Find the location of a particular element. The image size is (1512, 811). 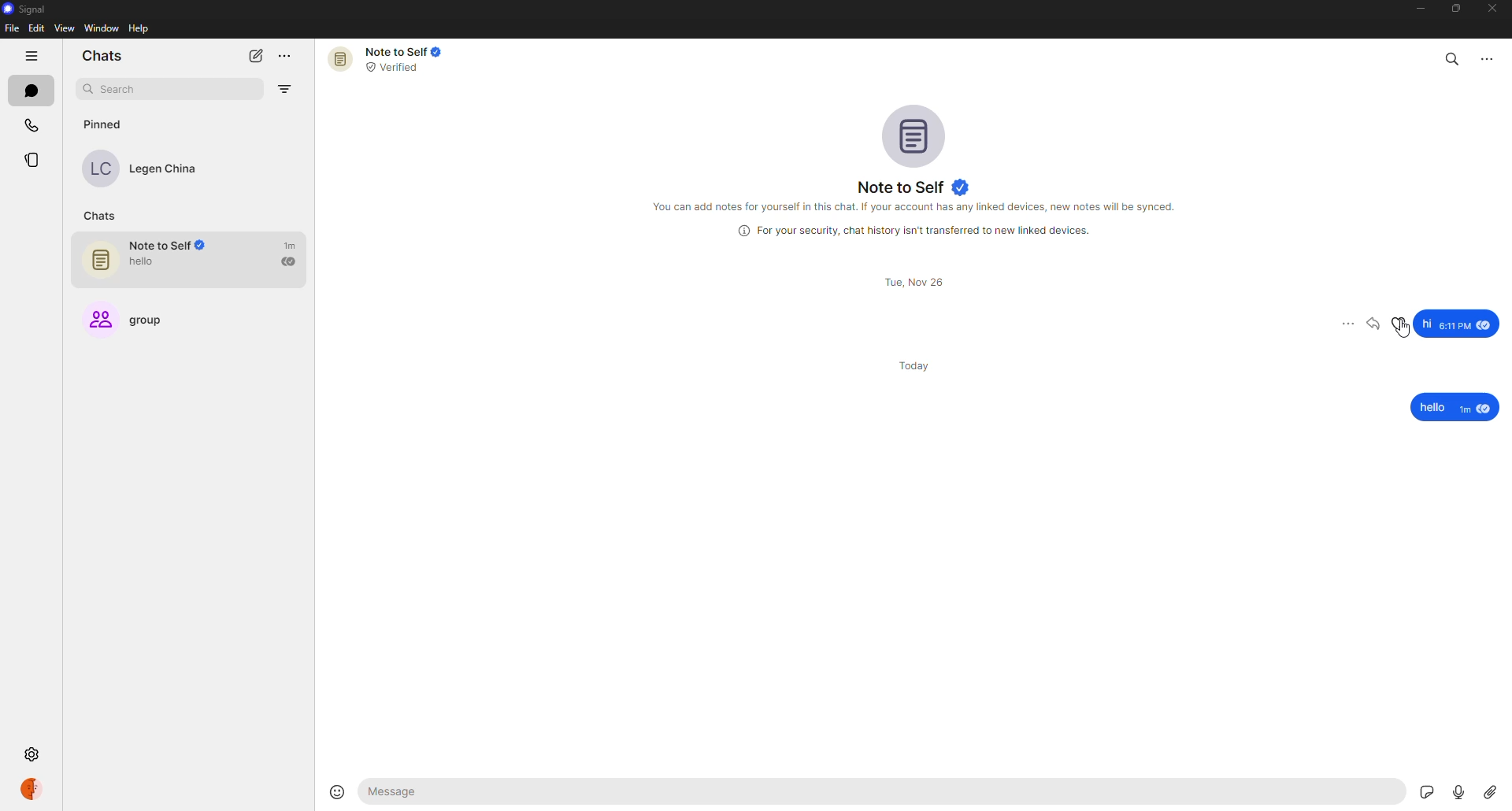

hide tabs is located at coordinates (31, 57).